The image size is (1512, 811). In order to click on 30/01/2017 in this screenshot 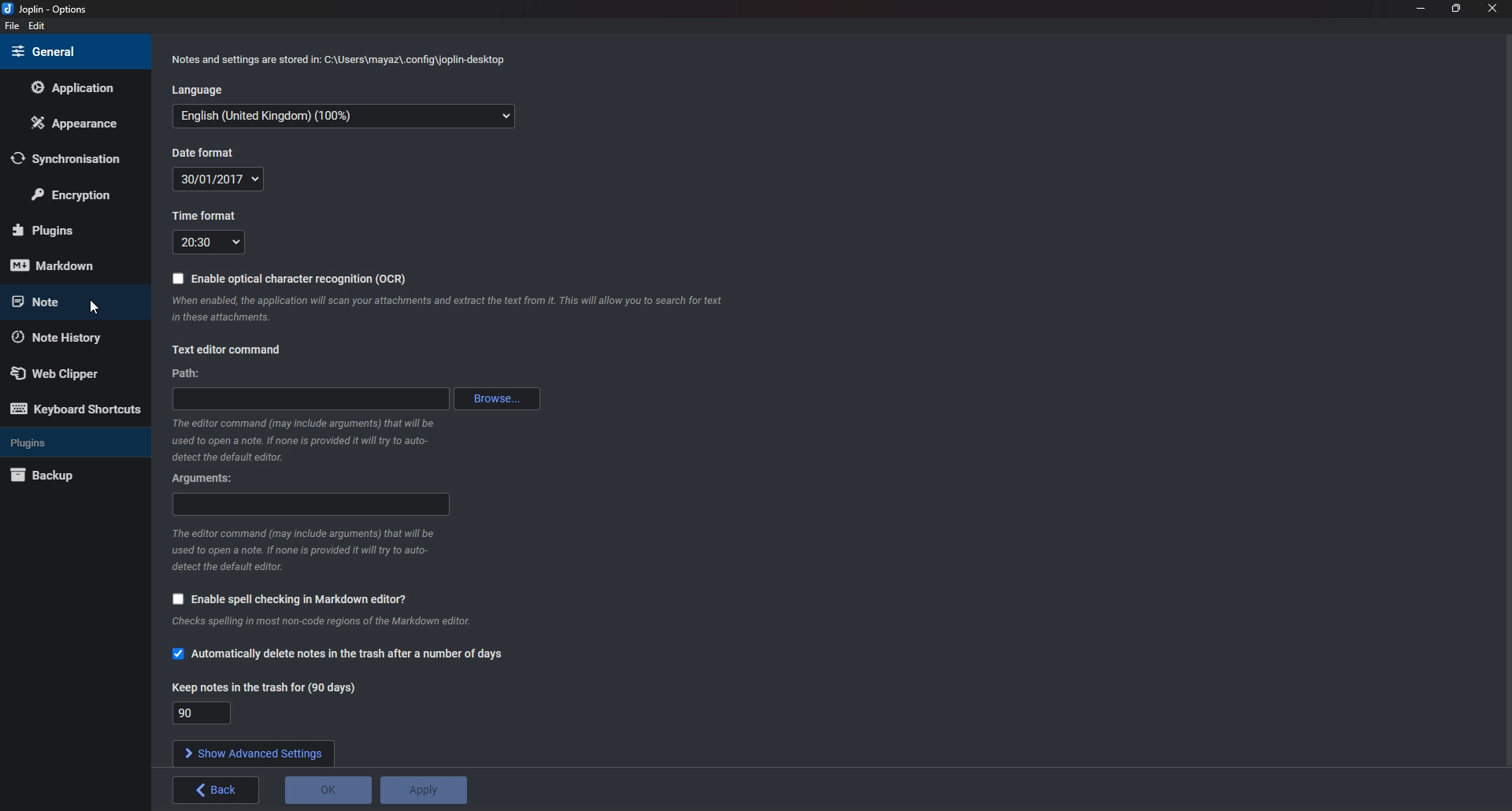, I will do `click(222, 180)`.